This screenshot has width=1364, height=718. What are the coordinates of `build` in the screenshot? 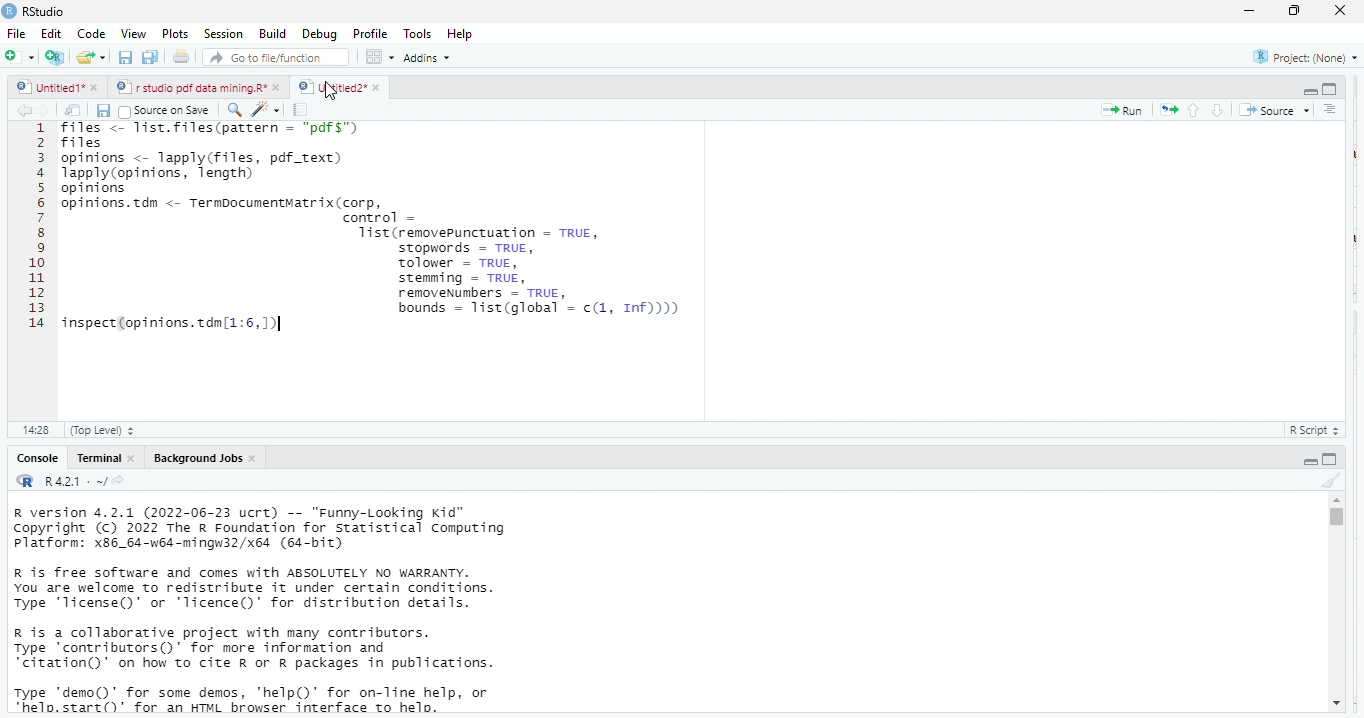 It's located at (273, 33).